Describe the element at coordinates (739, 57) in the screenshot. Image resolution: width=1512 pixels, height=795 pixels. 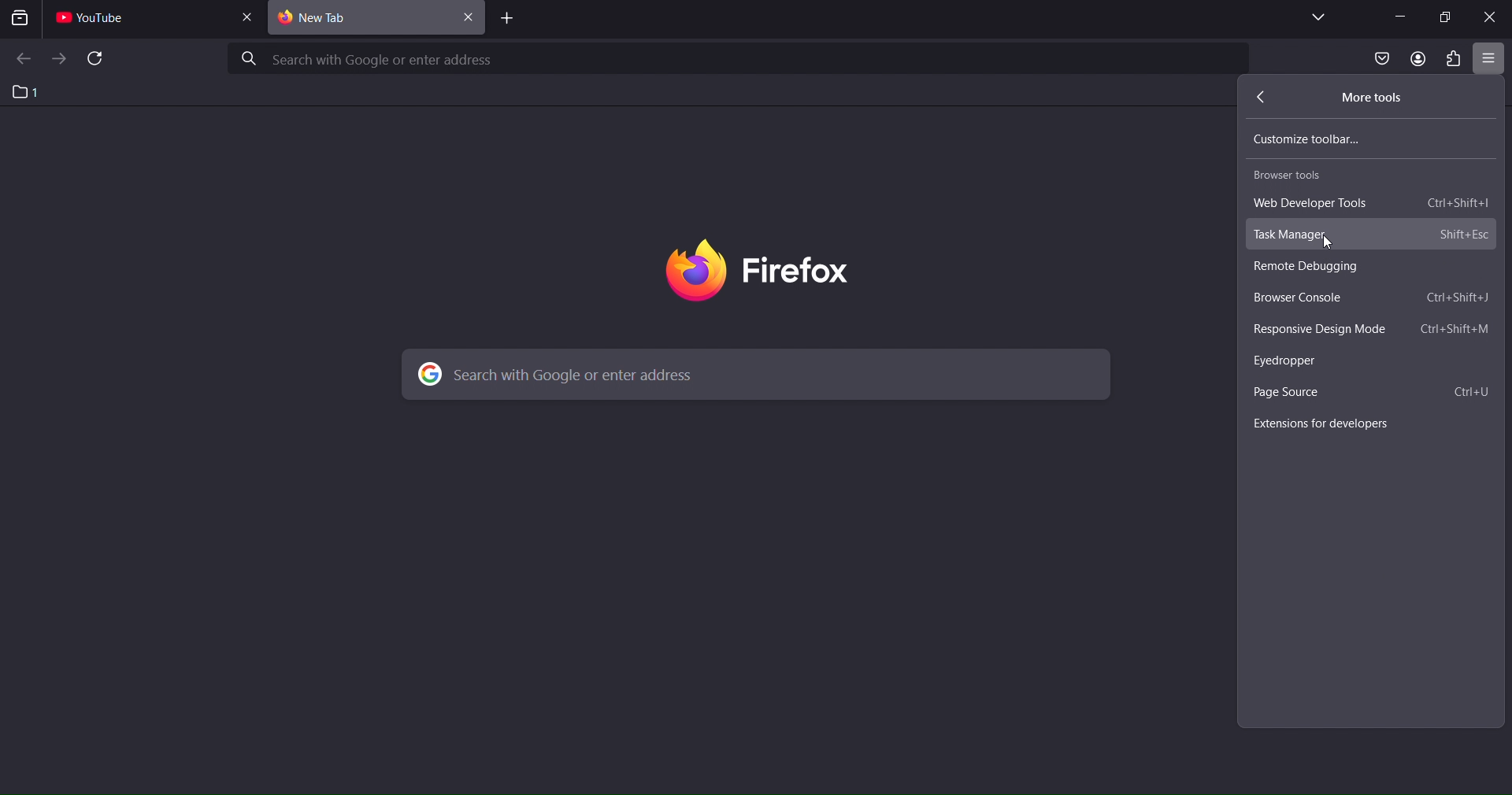
I see `search with Google or enter address` at that location.